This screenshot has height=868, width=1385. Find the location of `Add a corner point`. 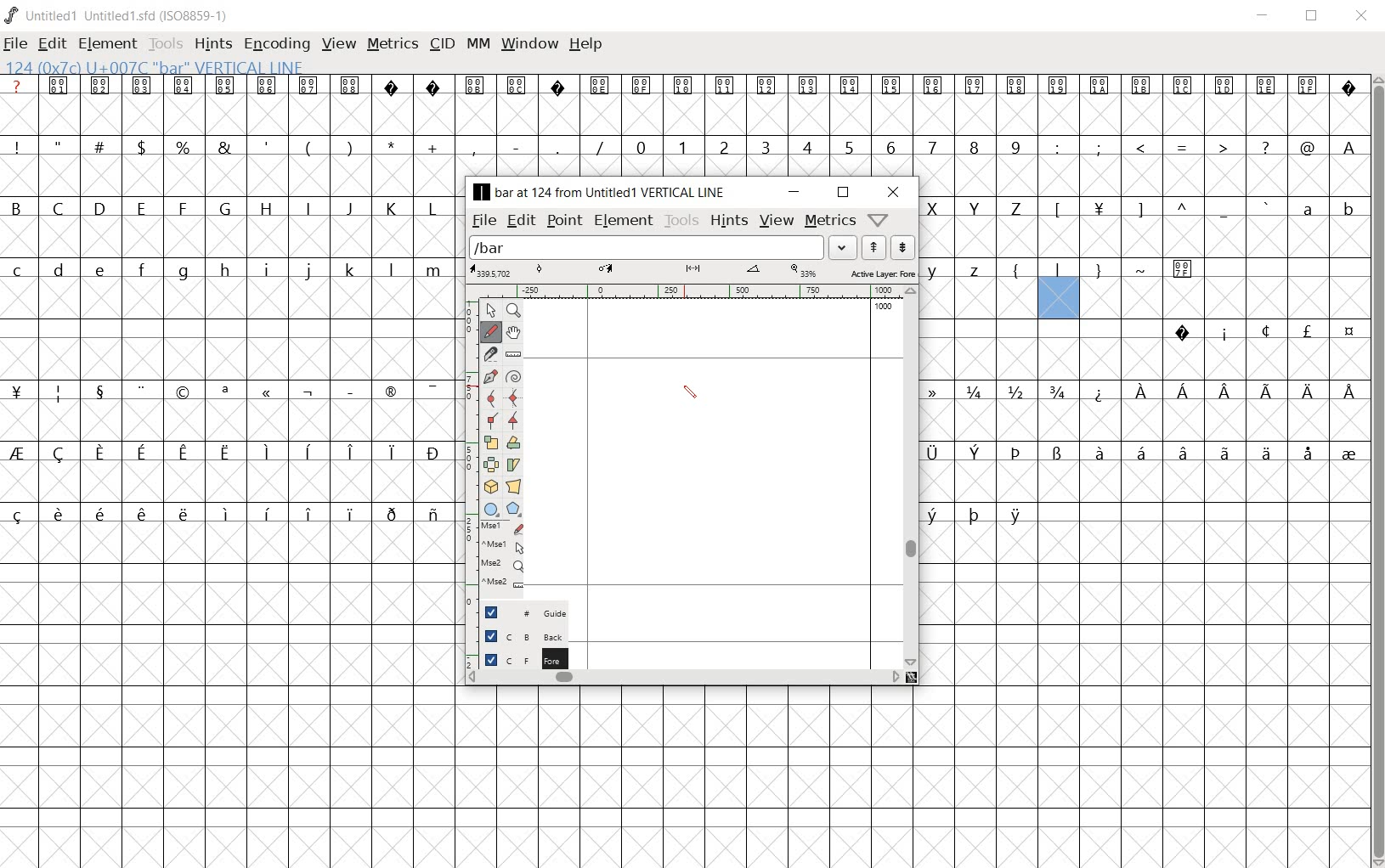

Add a corner point is located at coordinates (515, 421).